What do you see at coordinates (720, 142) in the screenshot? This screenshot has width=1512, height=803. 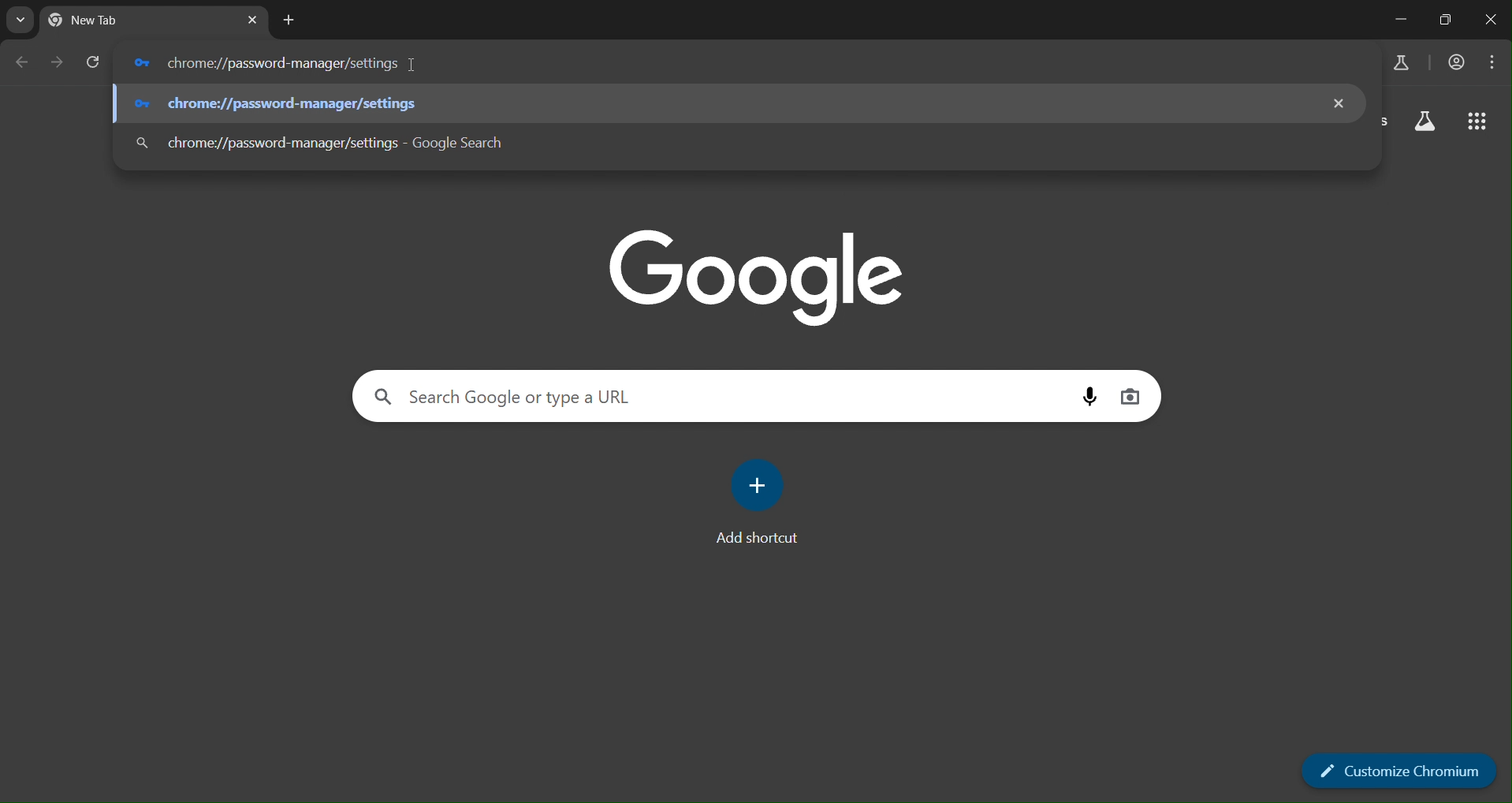 I see `chrome://password-manager/settings - Google Search` at bounding box center [720, 142].